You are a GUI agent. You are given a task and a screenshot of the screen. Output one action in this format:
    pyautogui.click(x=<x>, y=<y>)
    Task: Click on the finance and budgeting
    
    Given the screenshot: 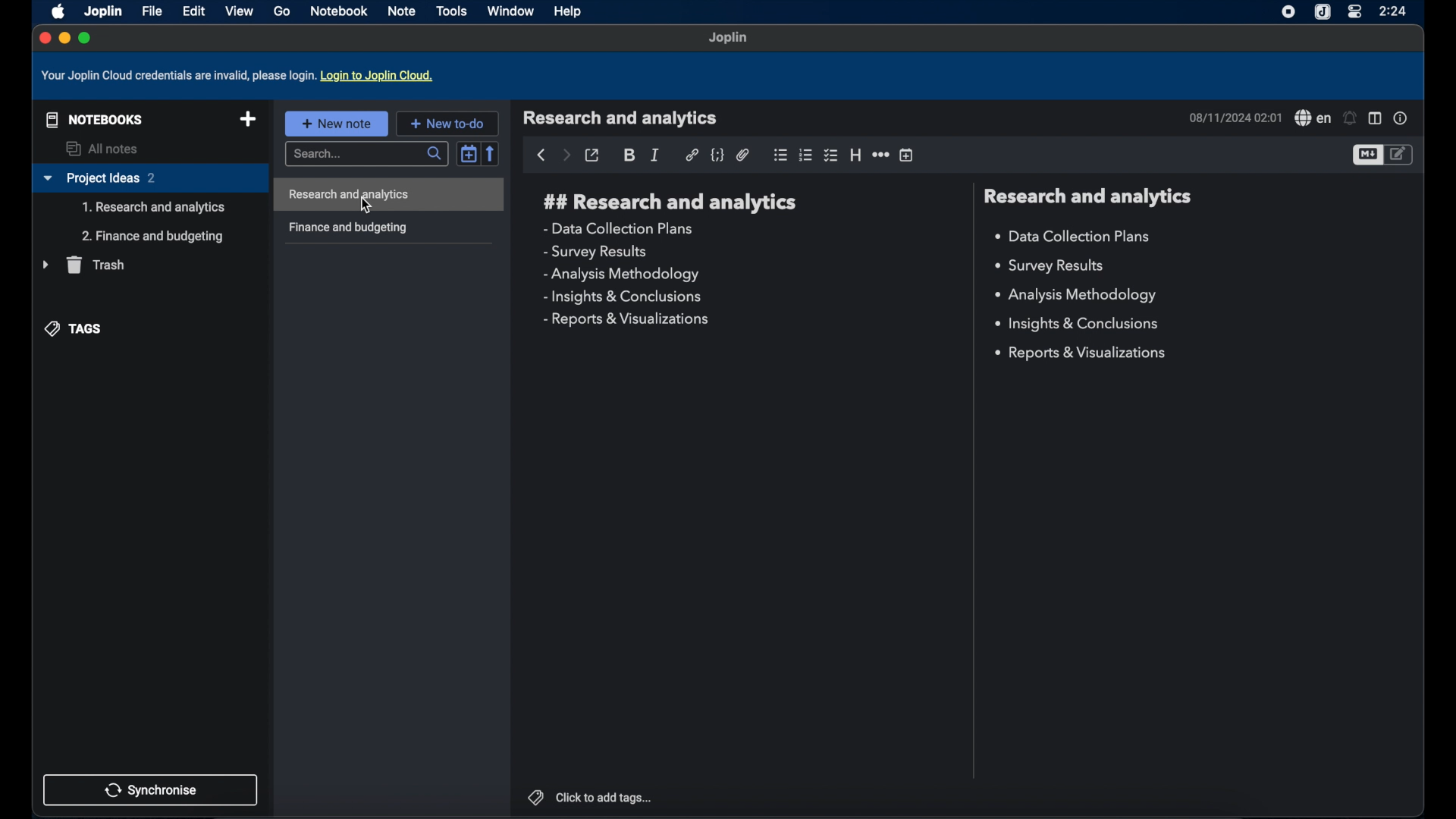 What is the action you would take?
    pyautogui.click(x=347, y=228)
    